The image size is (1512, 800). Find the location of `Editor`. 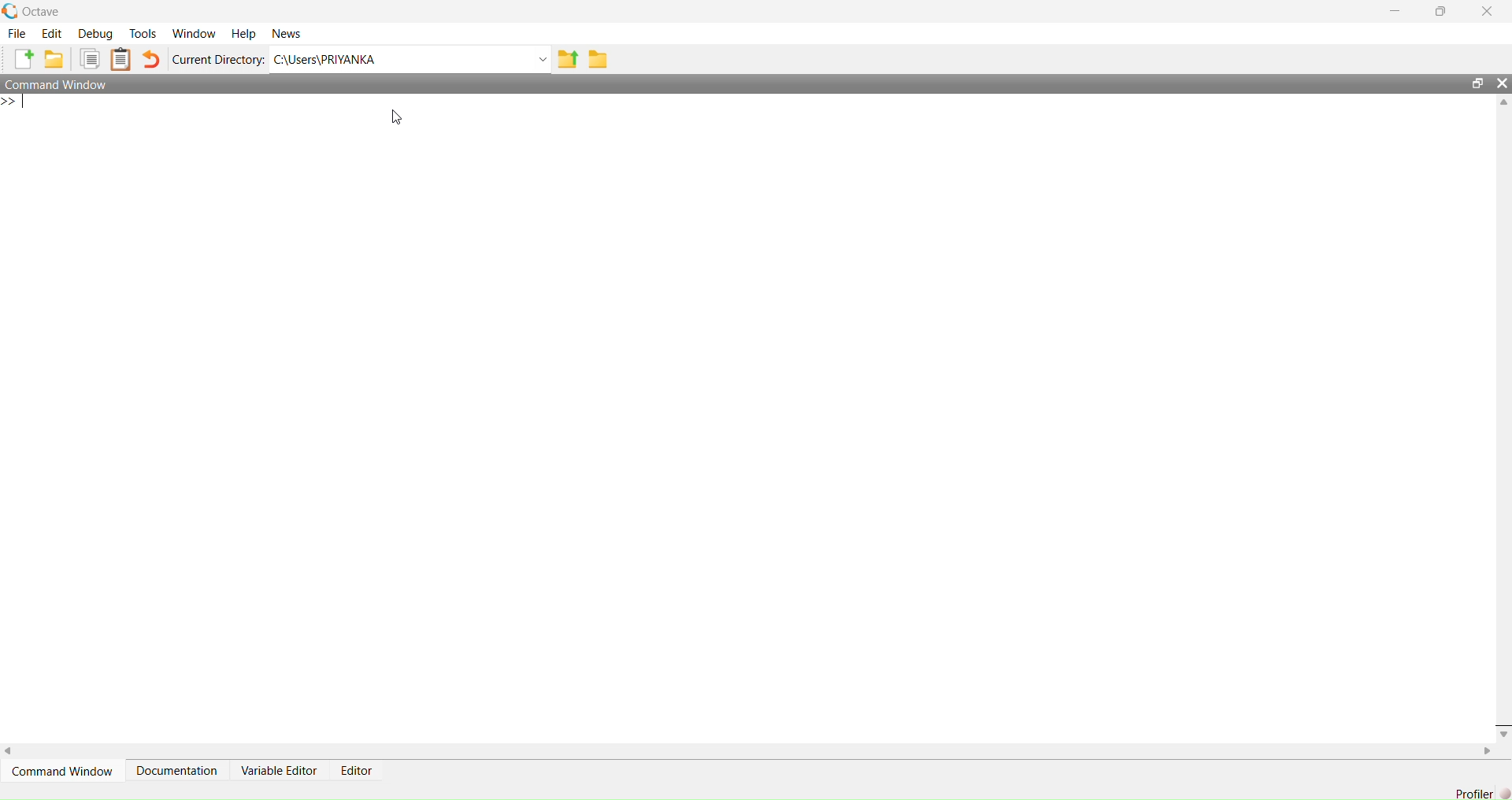

Editor is located at coordinates (360, 770).